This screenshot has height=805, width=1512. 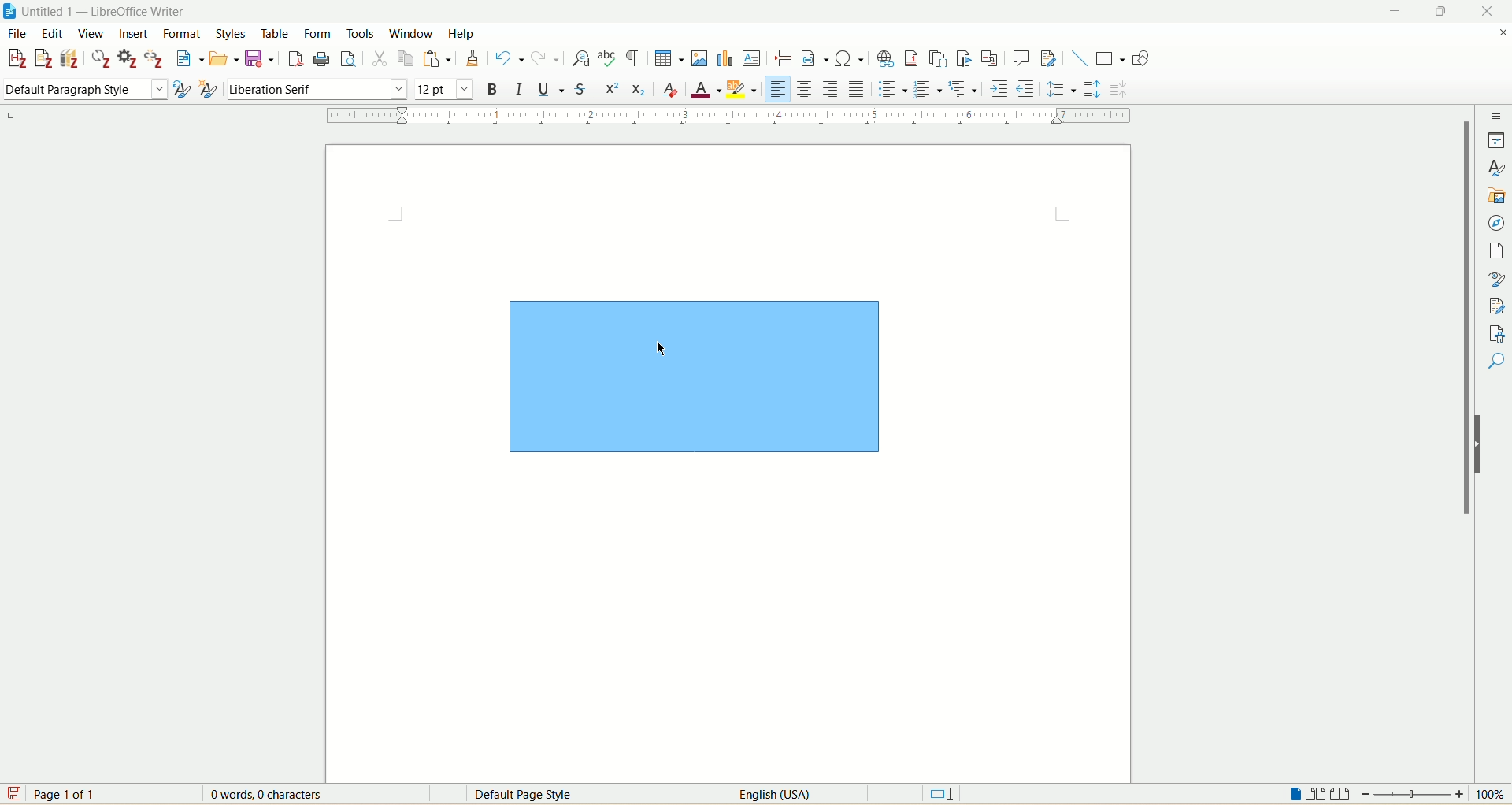 What do you see at coordinates (134, 35) in the screenshot?
I see `insert` at bounding box center [134, 35].